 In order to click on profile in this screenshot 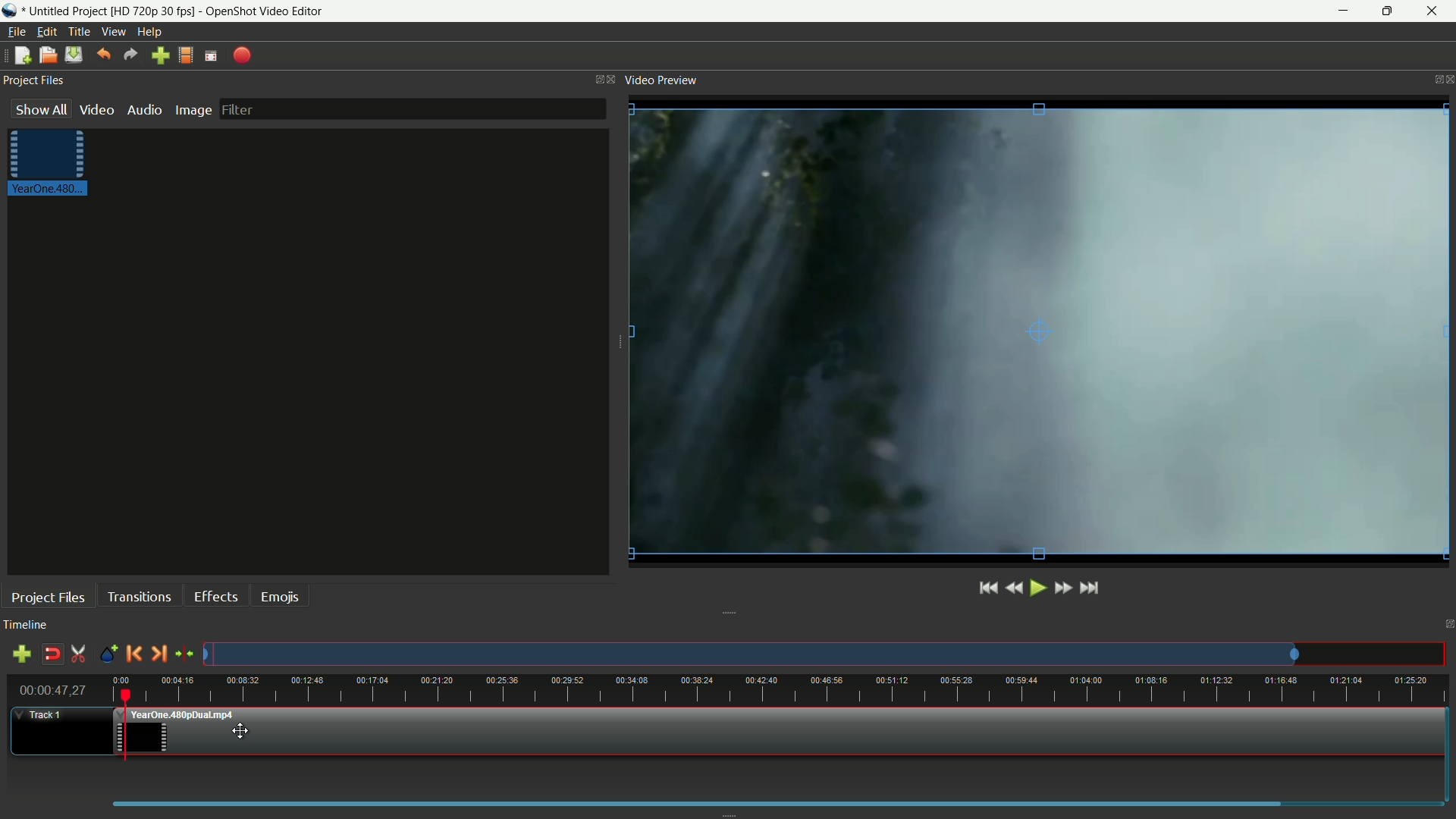, I will do `click(152, 11)`.